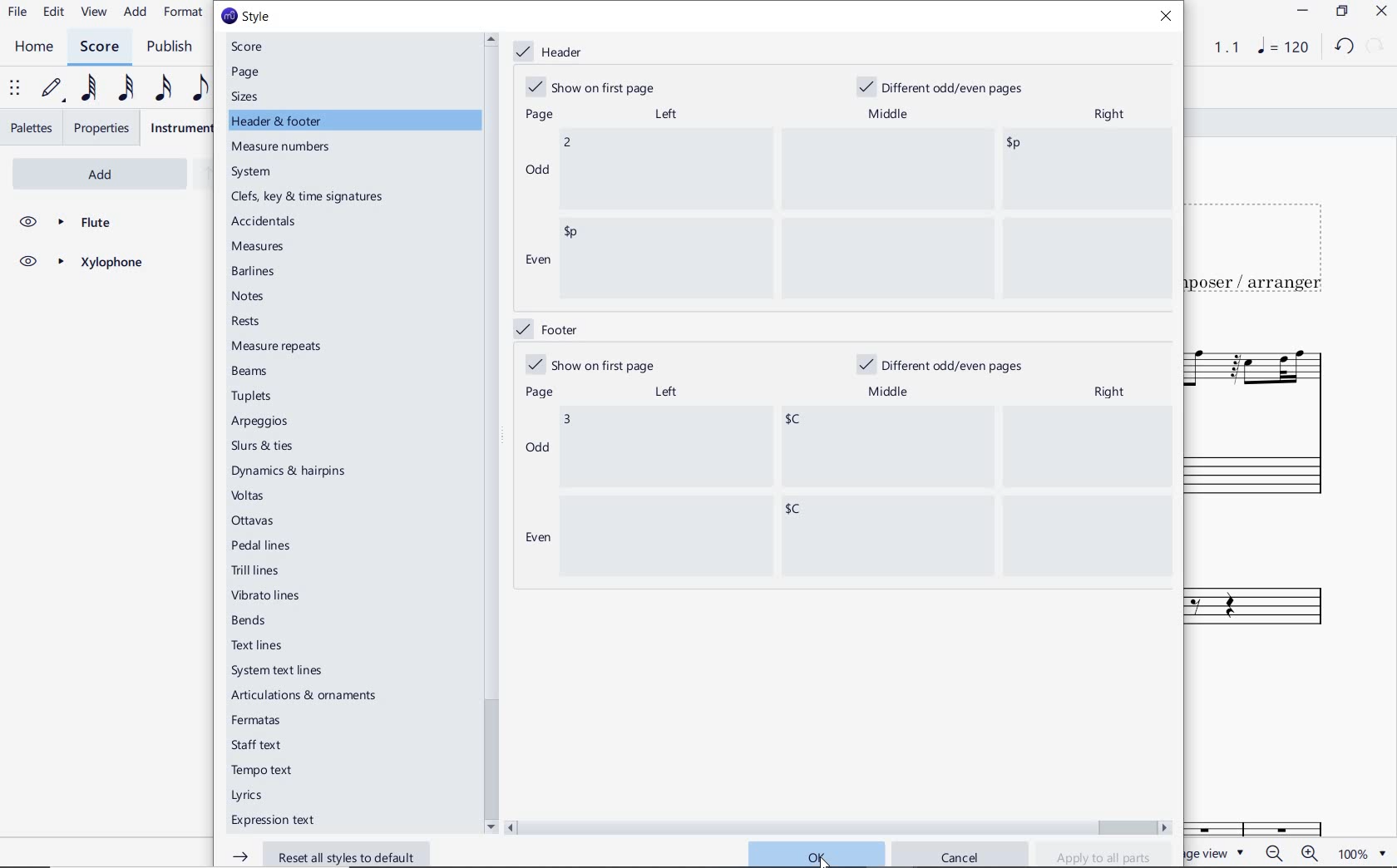 The height and width of the screenshot is (868, 1397). I want to click on show on first page, so click(595, 86).